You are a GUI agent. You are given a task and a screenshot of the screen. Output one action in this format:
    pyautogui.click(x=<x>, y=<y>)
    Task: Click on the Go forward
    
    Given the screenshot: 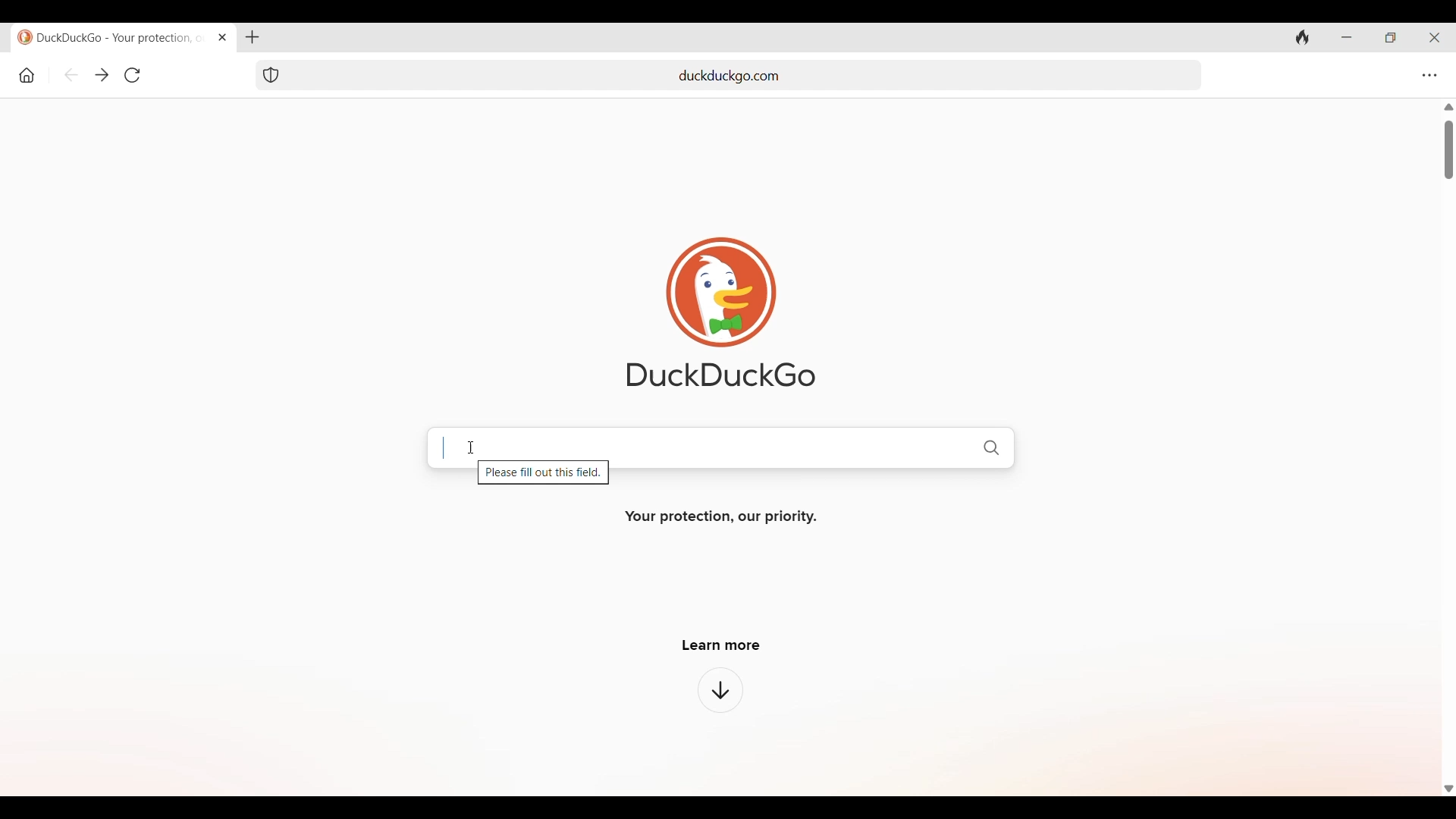 What is the action you would take?
    pyautogui.click(x=102, y=76)
    